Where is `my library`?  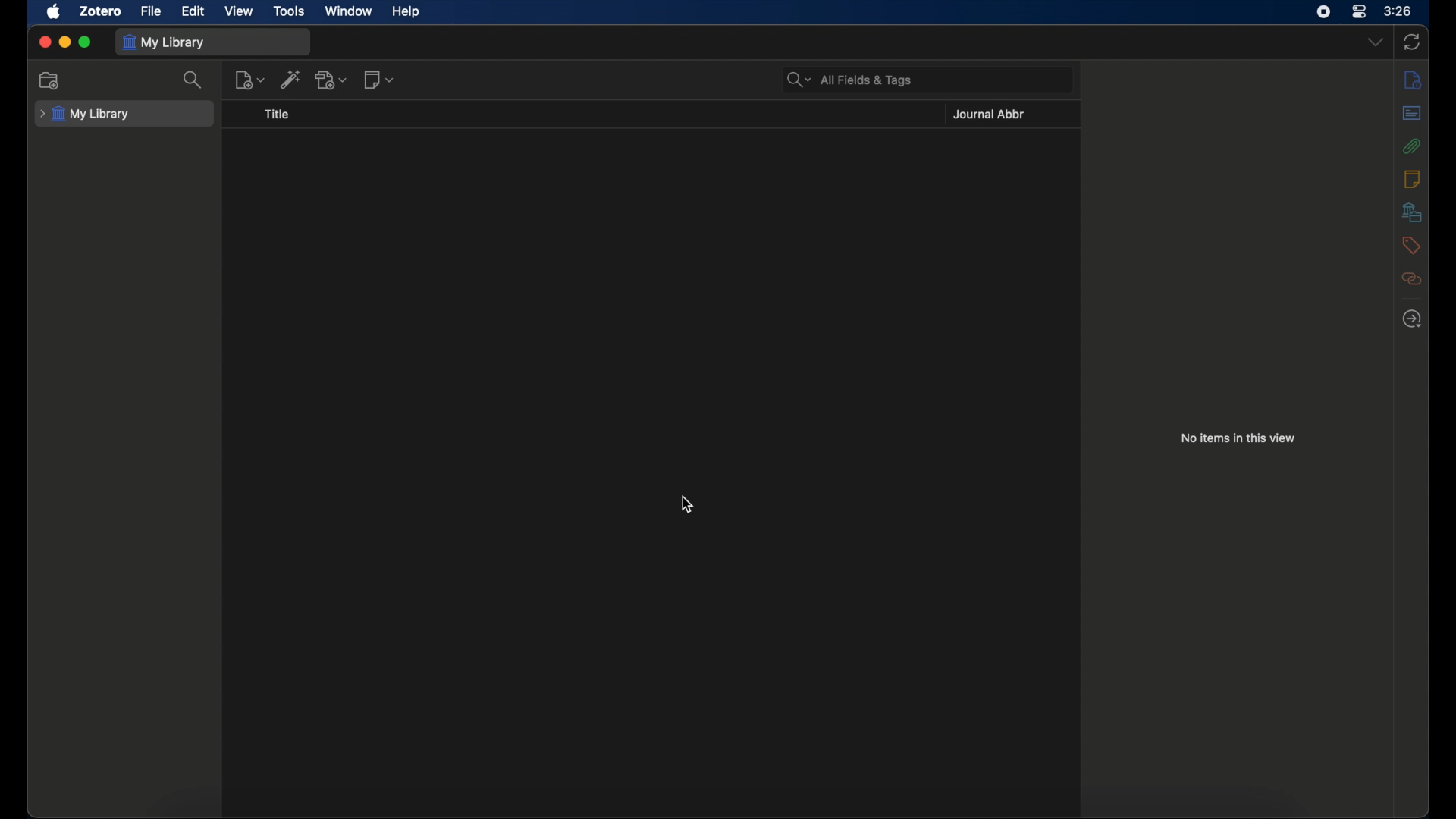 my library is located at coordinates (86, 114).